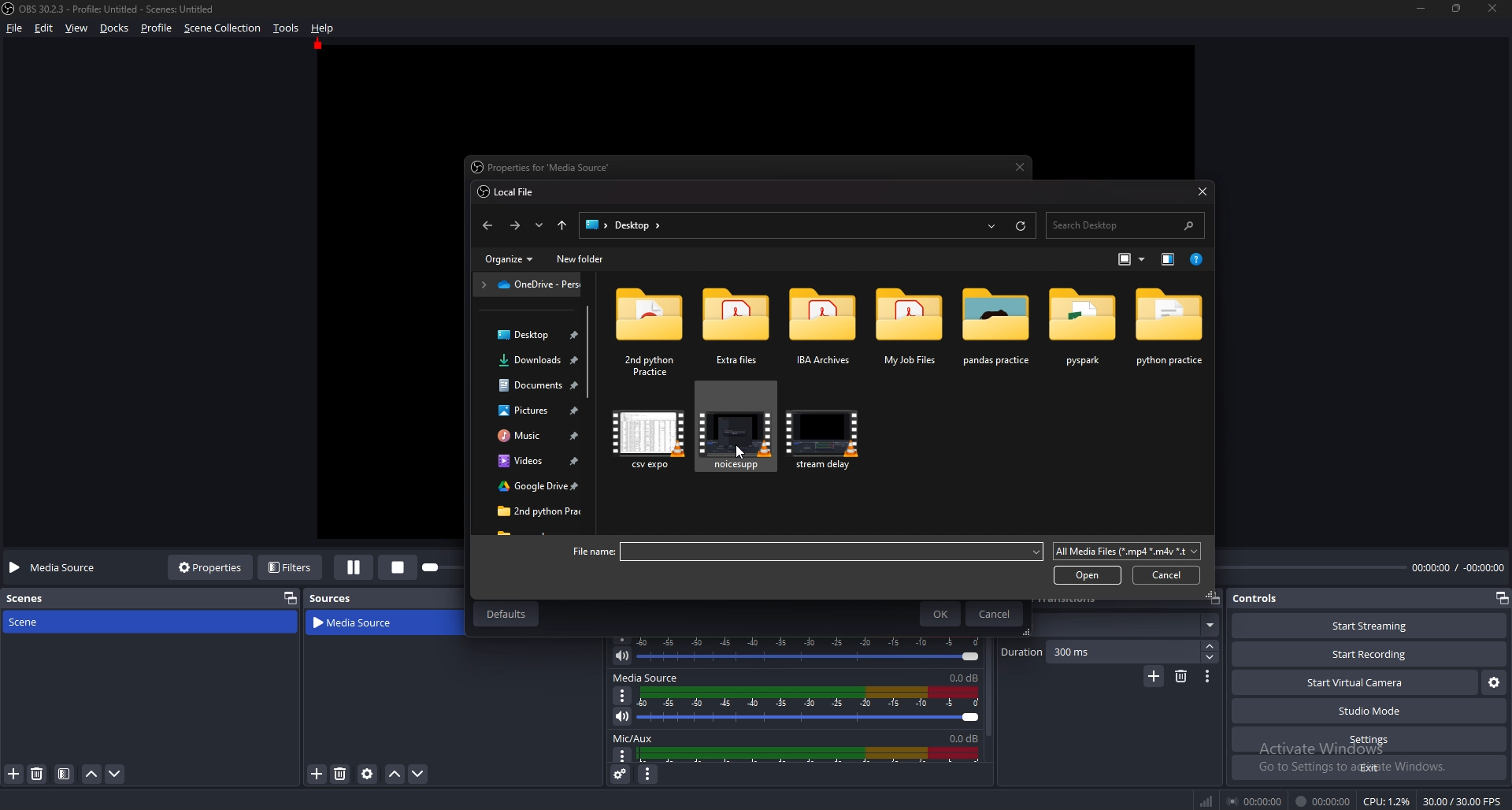 The height and width of the screenshot is (810, 1512). What do you see at coordinates (1354, 682) in the screenshot?
I see `Start virtual camera` at bounding box center [1354, 682].